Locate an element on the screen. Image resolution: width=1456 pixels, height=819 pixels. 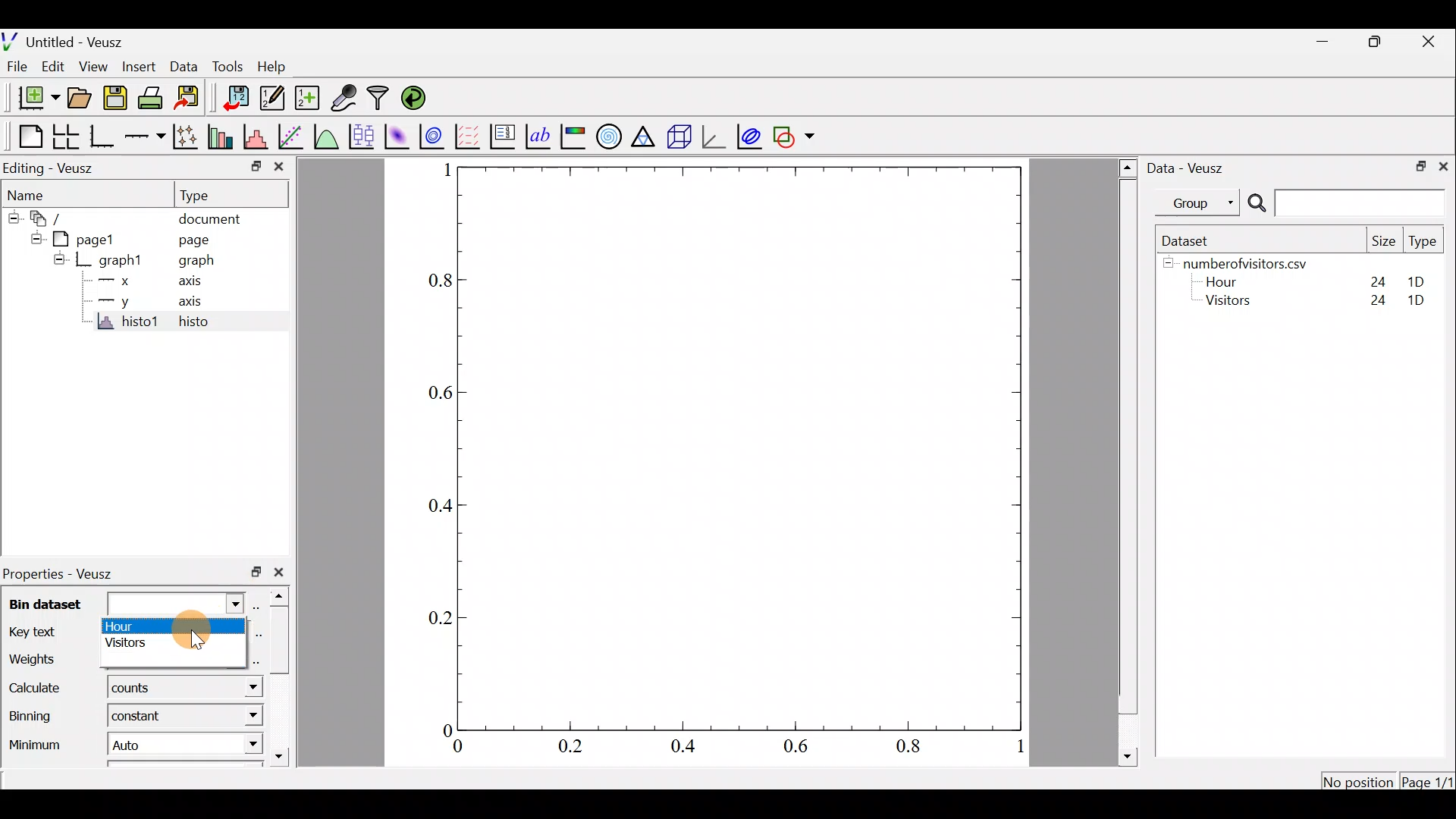
Help is located at coordinates (274, 67).